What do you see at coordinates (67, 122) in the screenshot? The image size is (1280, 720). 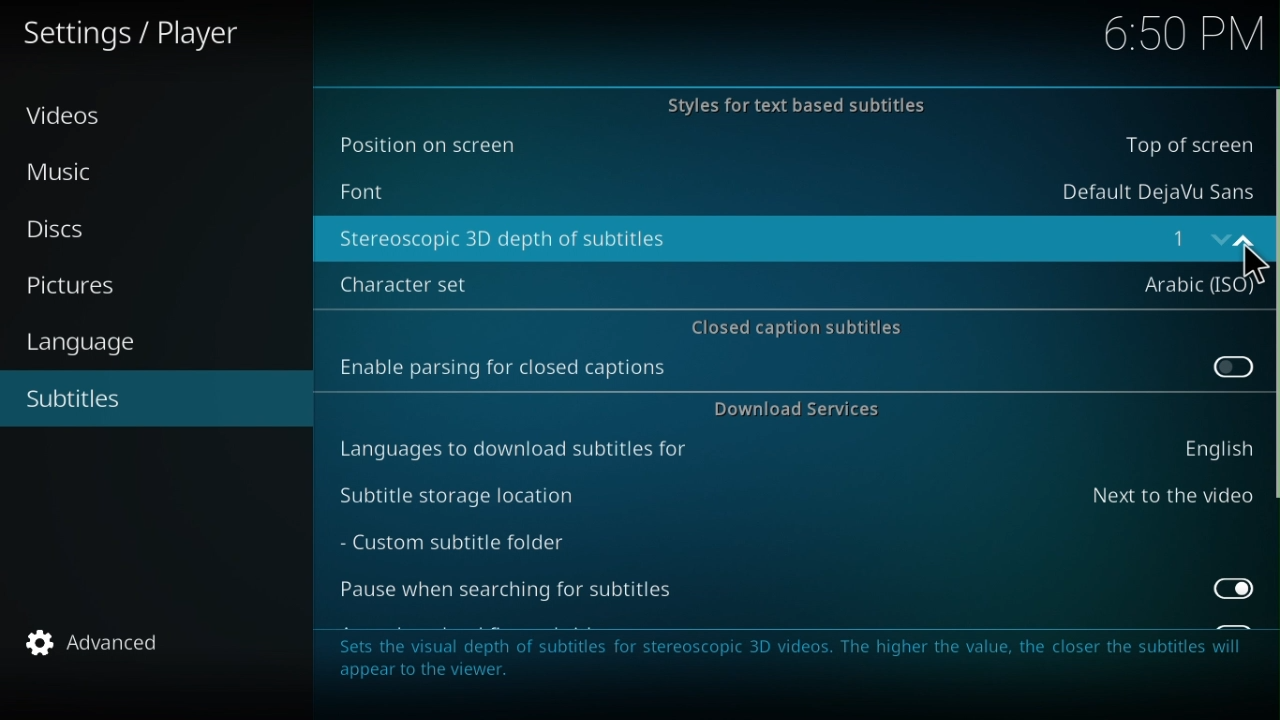 I see `Video` at bounding box center [67, 122].